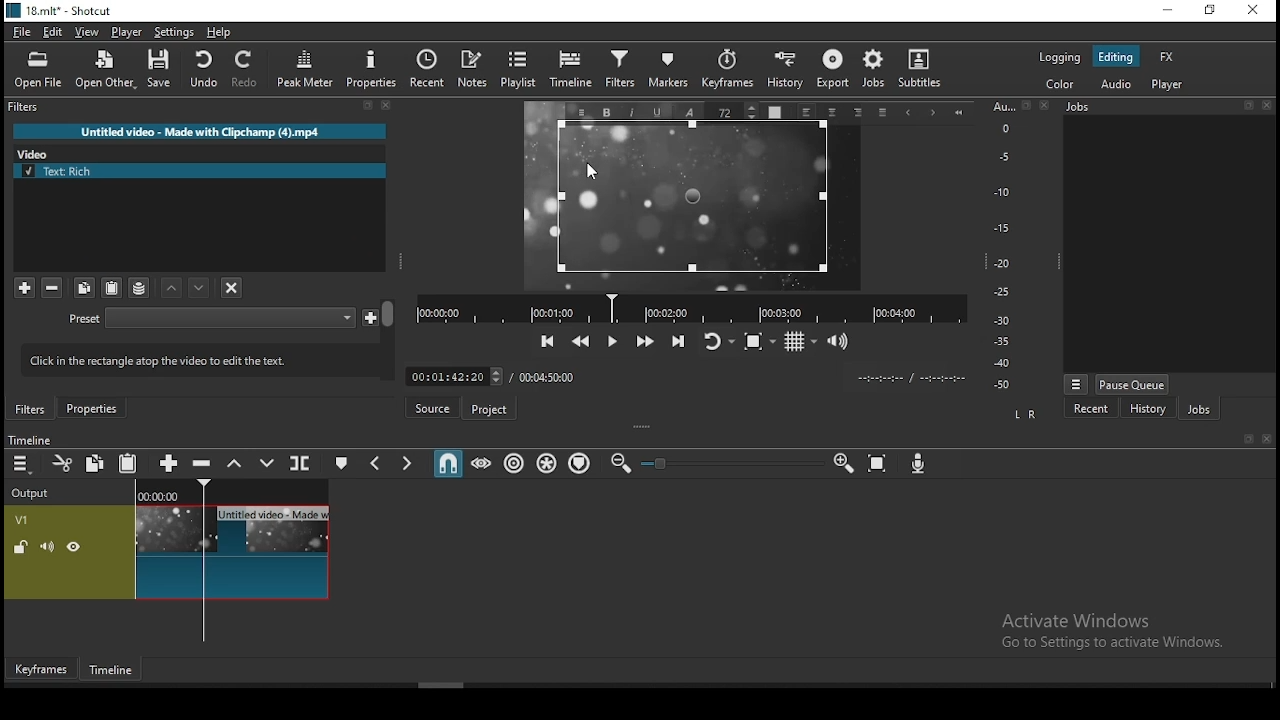  Describe the element at coordinates (204, 464) in the screenshot. I see `ripple delete` at that location.